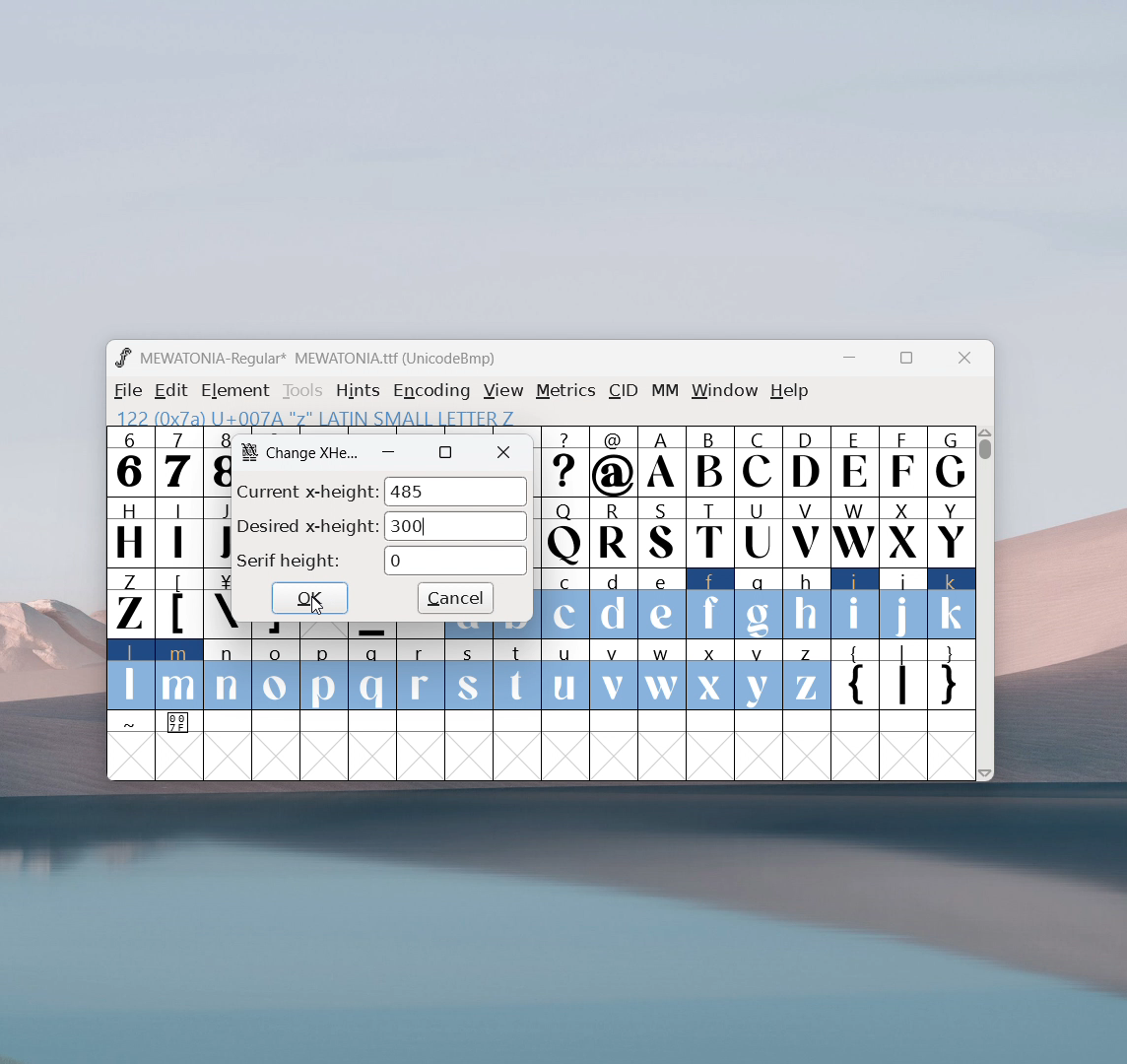  What do you see at coordinates (759, 531) in the screenshot?
I see `U` at bounding box center [759, 531].